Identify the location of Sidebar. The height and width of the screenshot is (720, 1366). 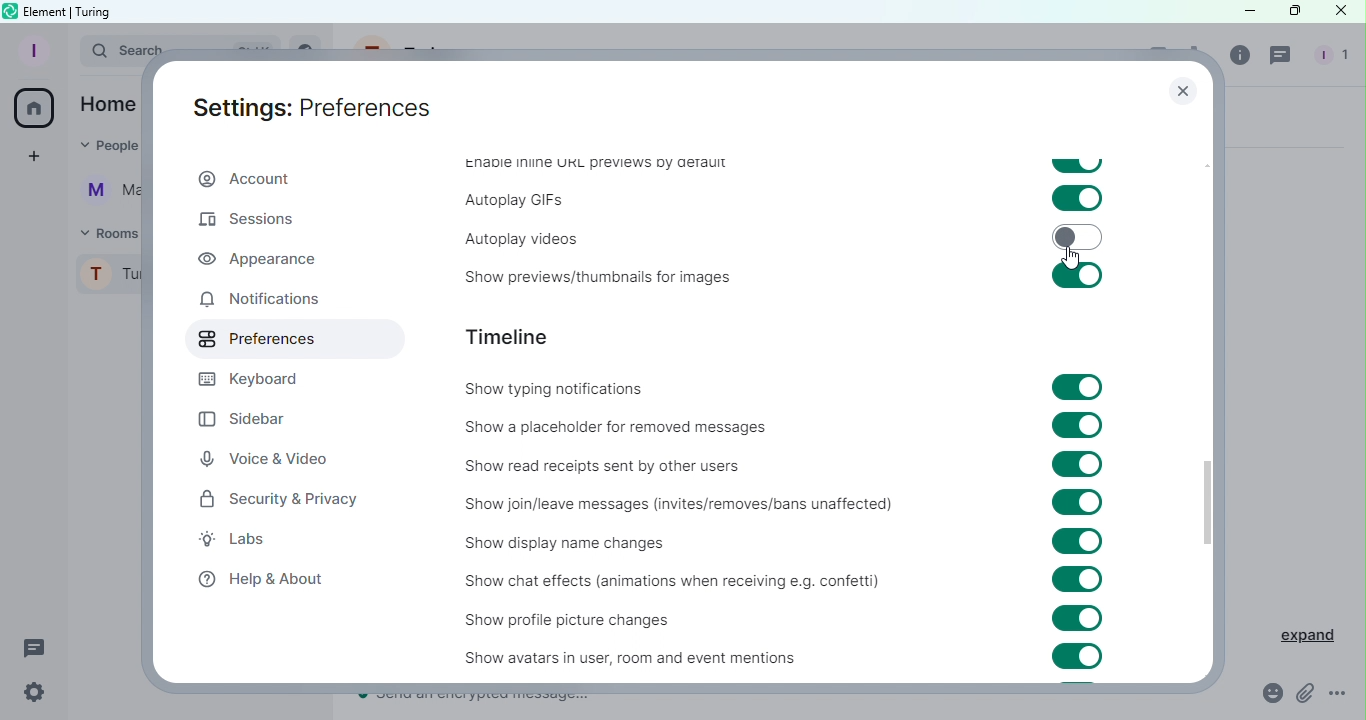
(257, 414).